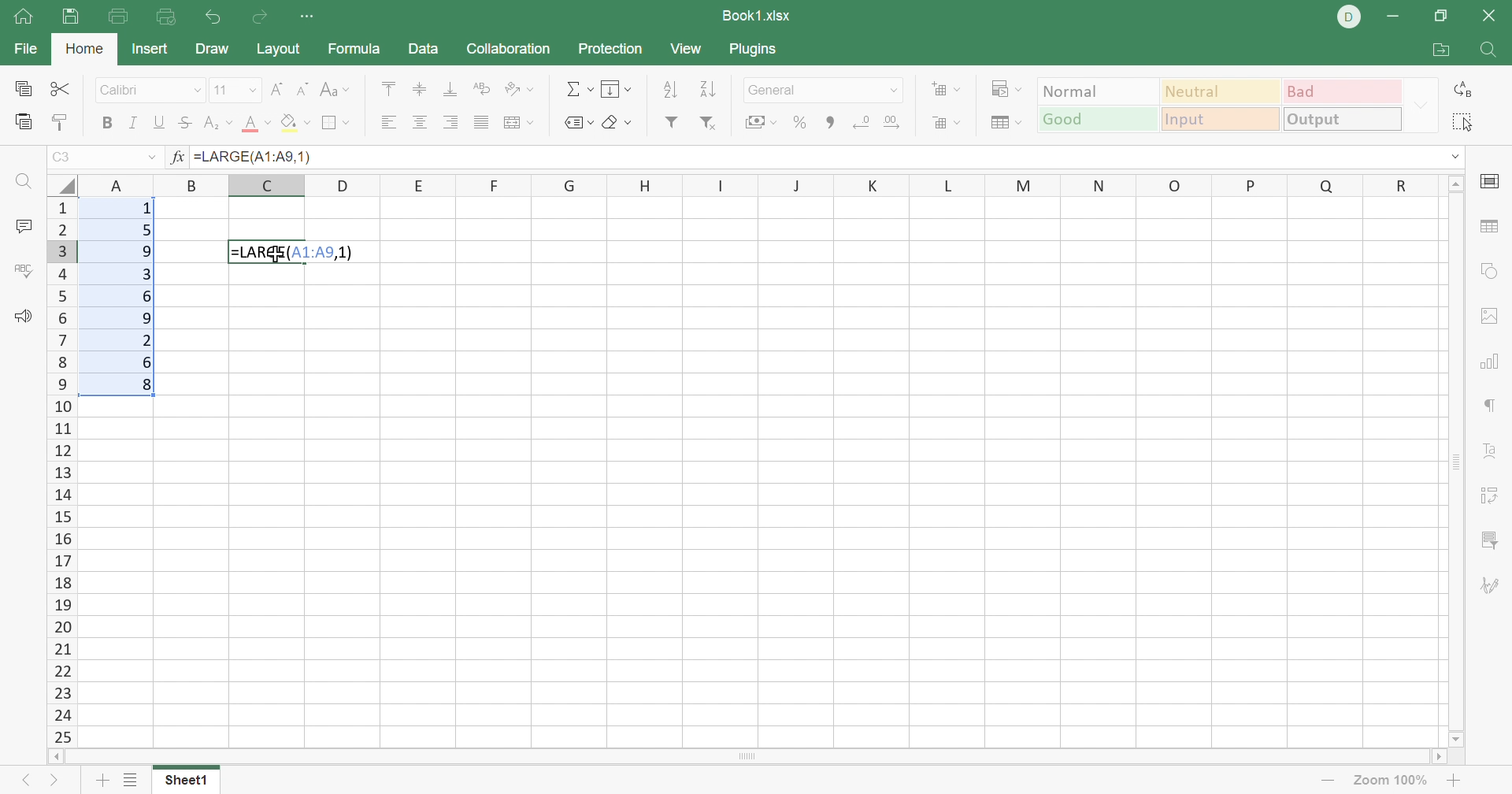 This screenshot has width=1512, height=794. What do you see at coordinates (163, 17) in the screenshot?
I see `quick print` at bounding box center [163, 17].